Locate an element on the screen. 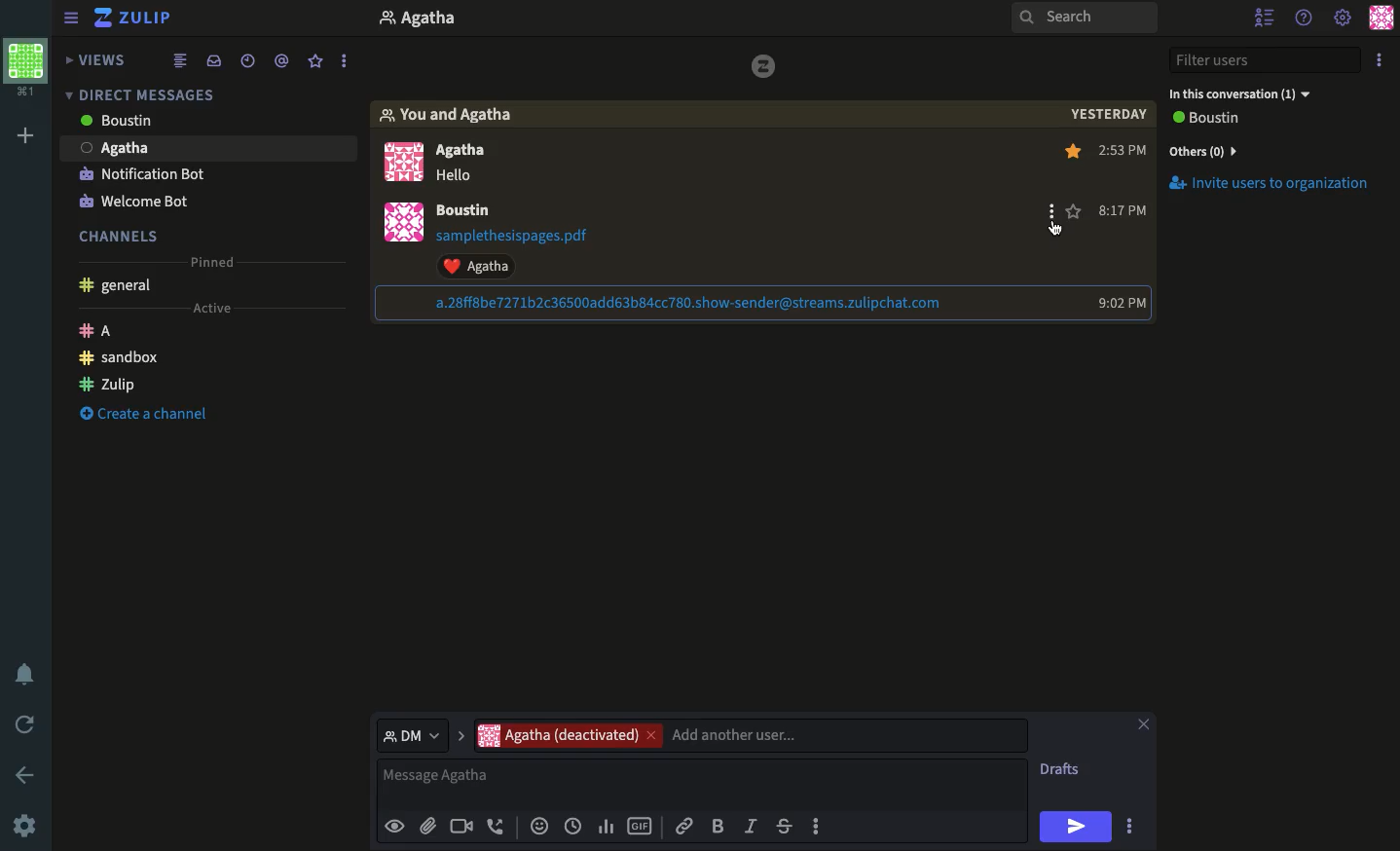 This screenshot has width=1400, height=851. options is located at coordinates (1132, 829).